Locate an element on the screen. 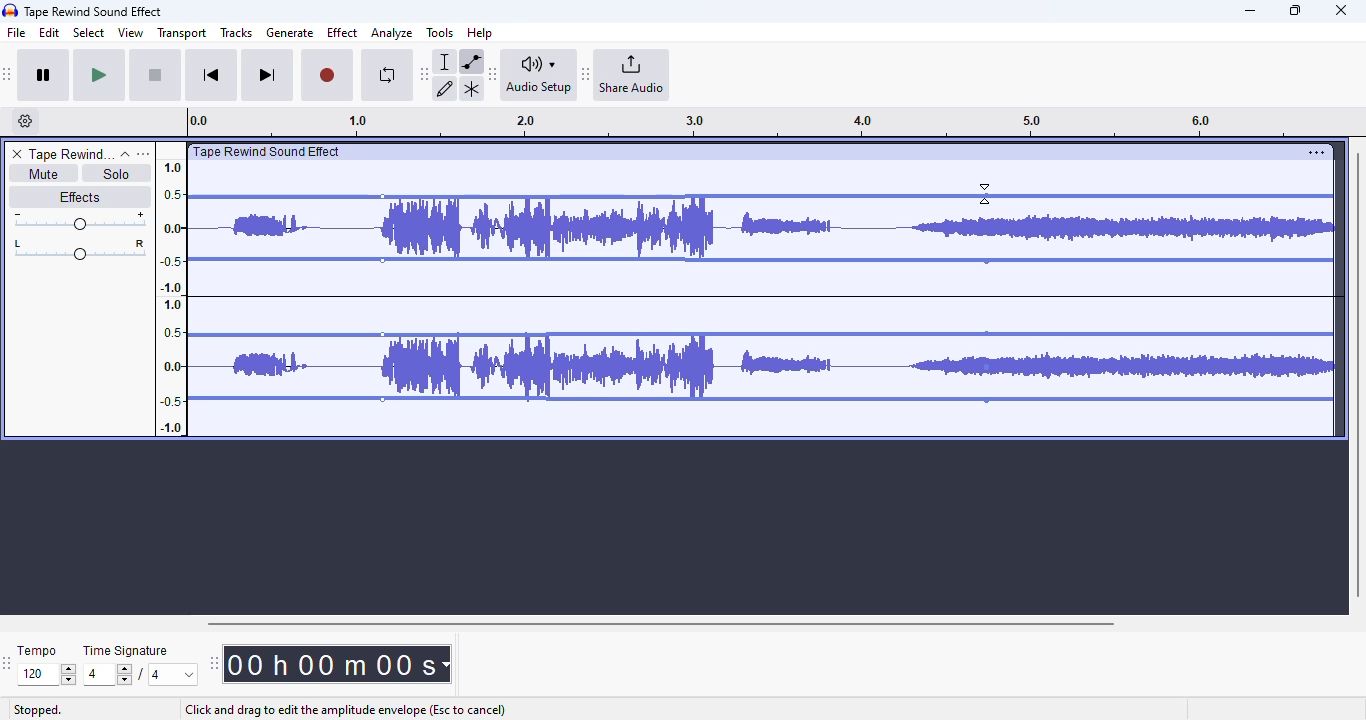 The width and height of the screenshot is (1366, 720). Audacity logo is located at coordinates (10, 11).